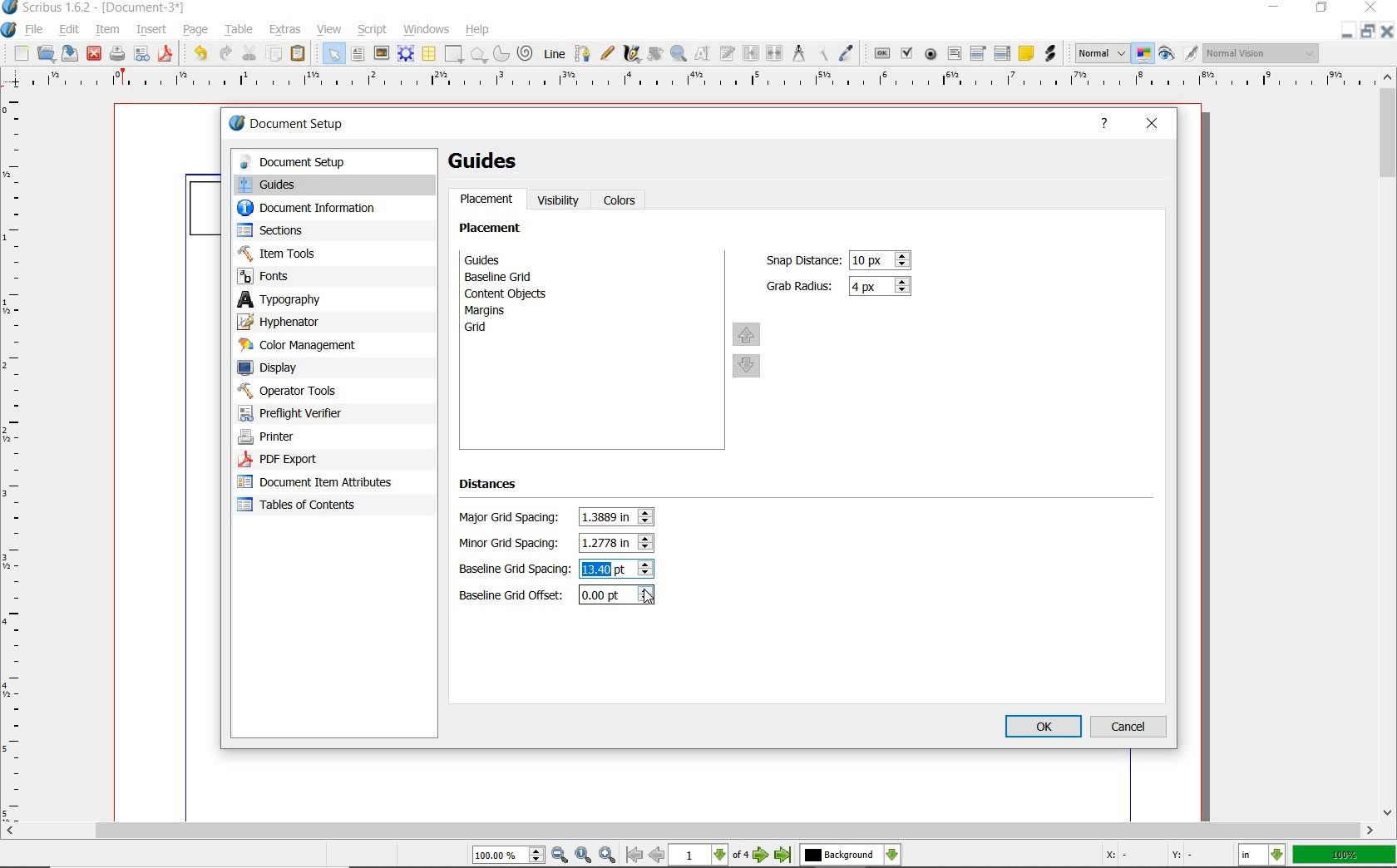 Image resolution: width=1397 pixels, height=868 pixels. I want to click on edit, so click(68, 30).